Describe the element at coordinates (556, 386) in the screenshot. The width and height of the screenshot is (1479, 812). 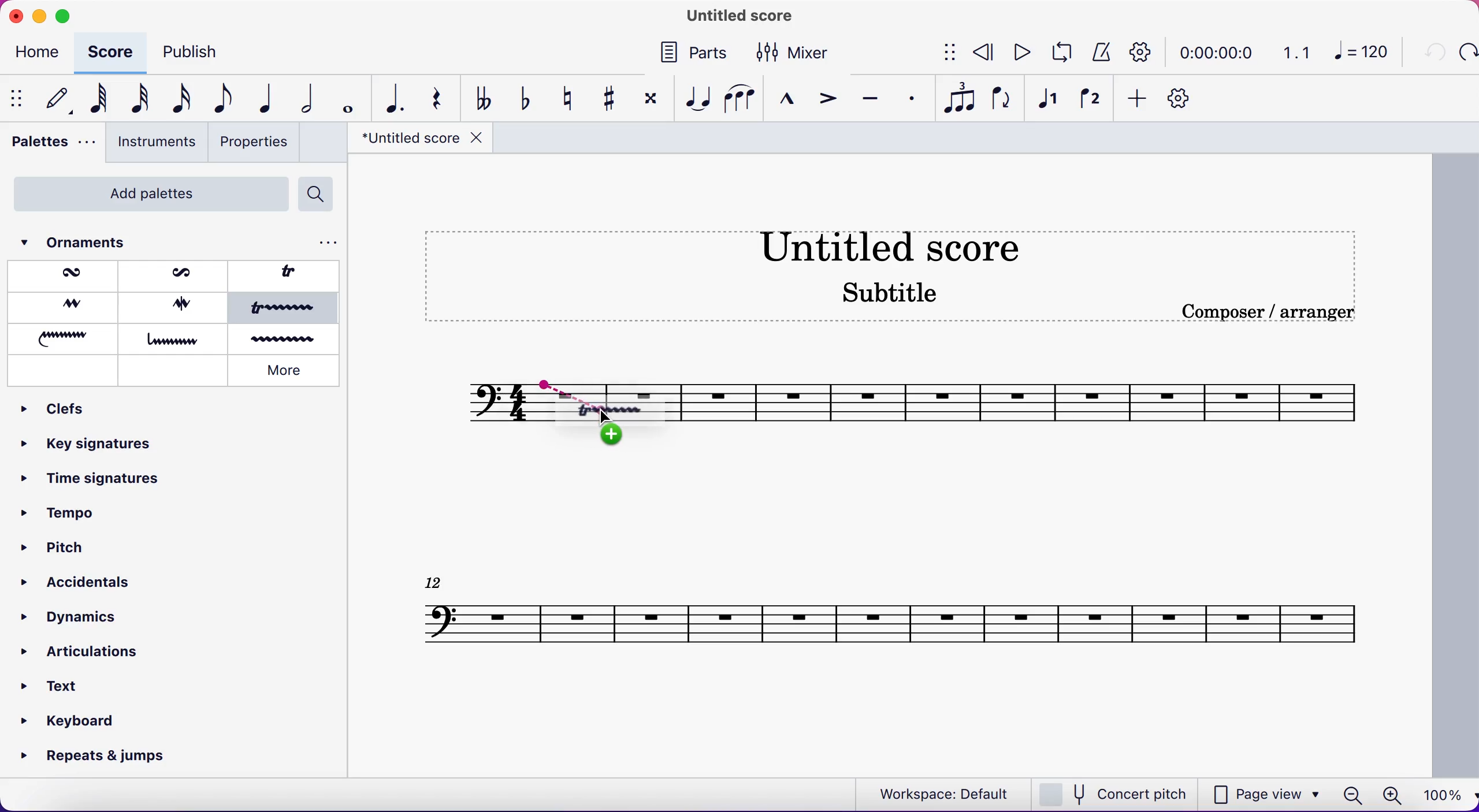
I see `dragging` at that location.